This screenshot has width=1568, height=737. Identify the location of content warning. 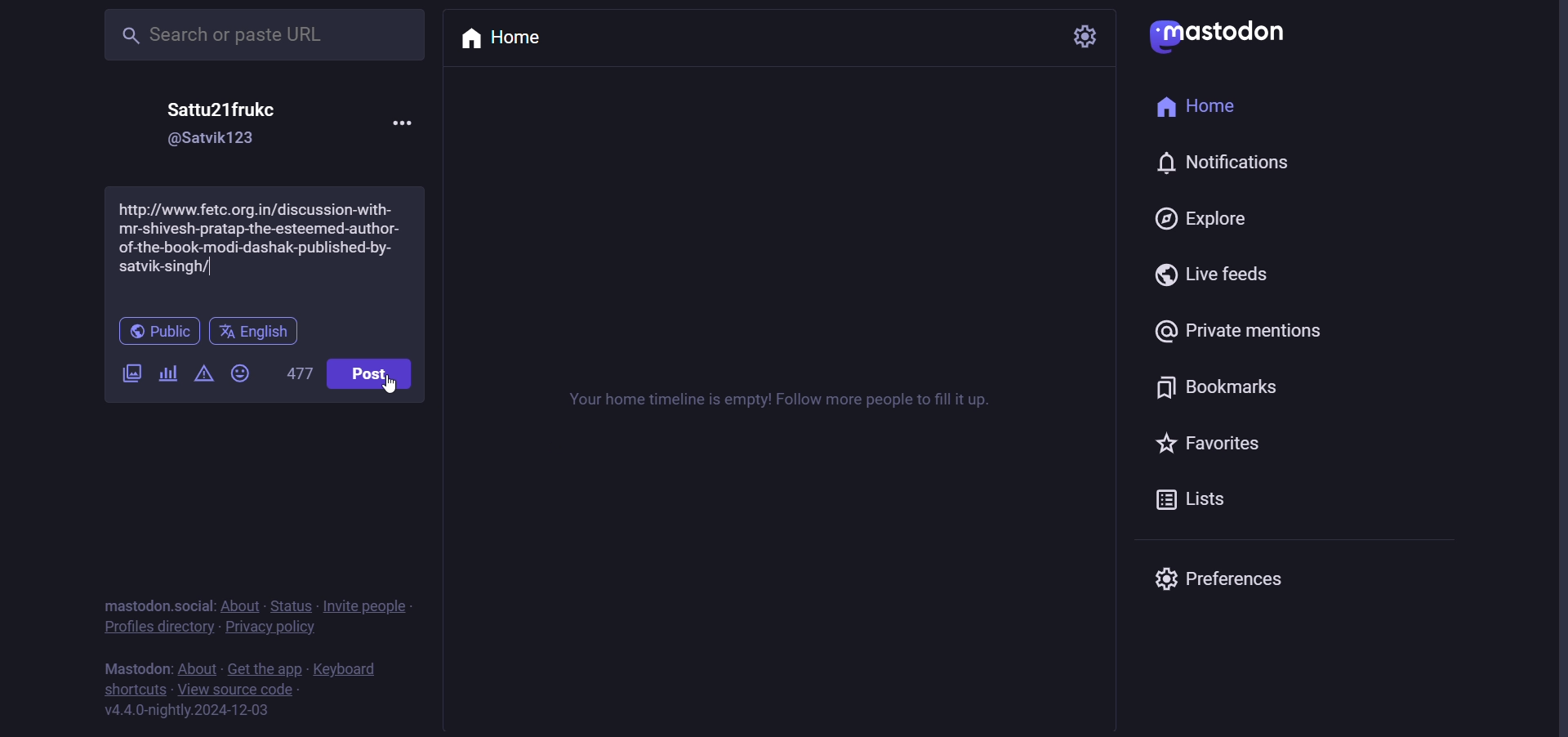
(202, 375).